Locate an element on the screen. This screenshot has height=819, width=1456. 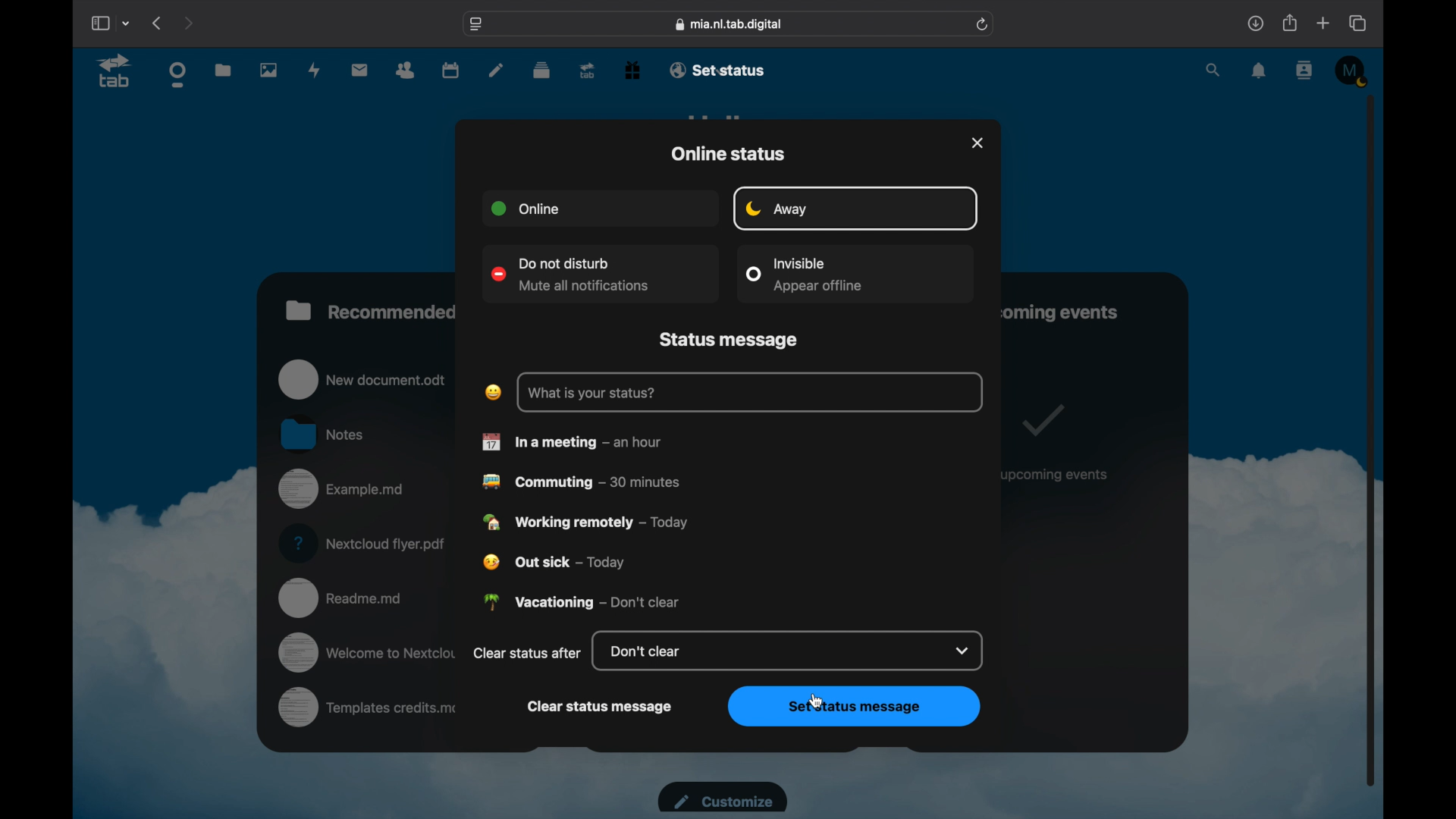
search is located at coordinates (1214, 71).